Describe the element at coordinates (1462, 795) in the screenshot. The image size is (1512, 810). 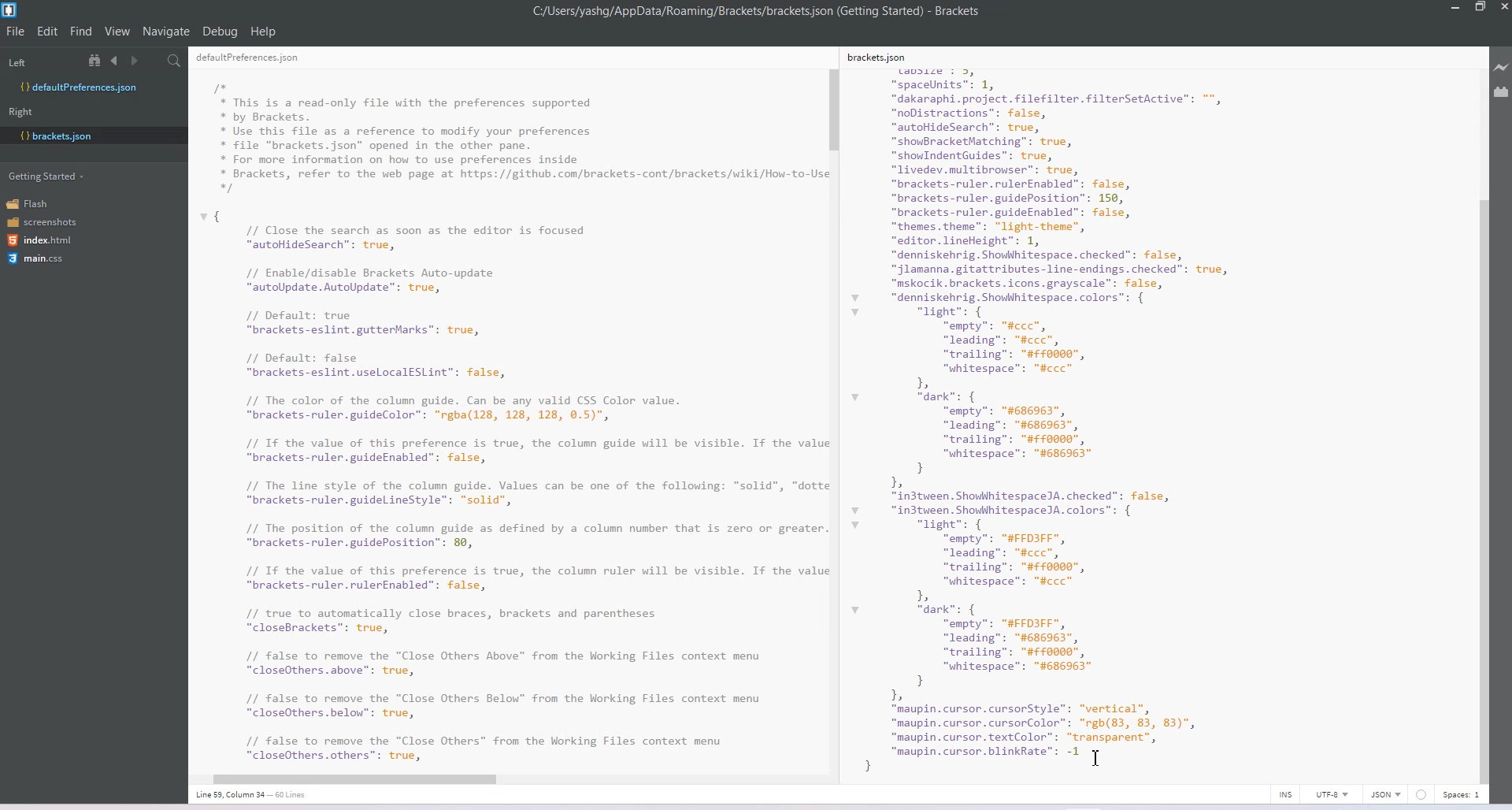
I see `Spaces 1` at that location.